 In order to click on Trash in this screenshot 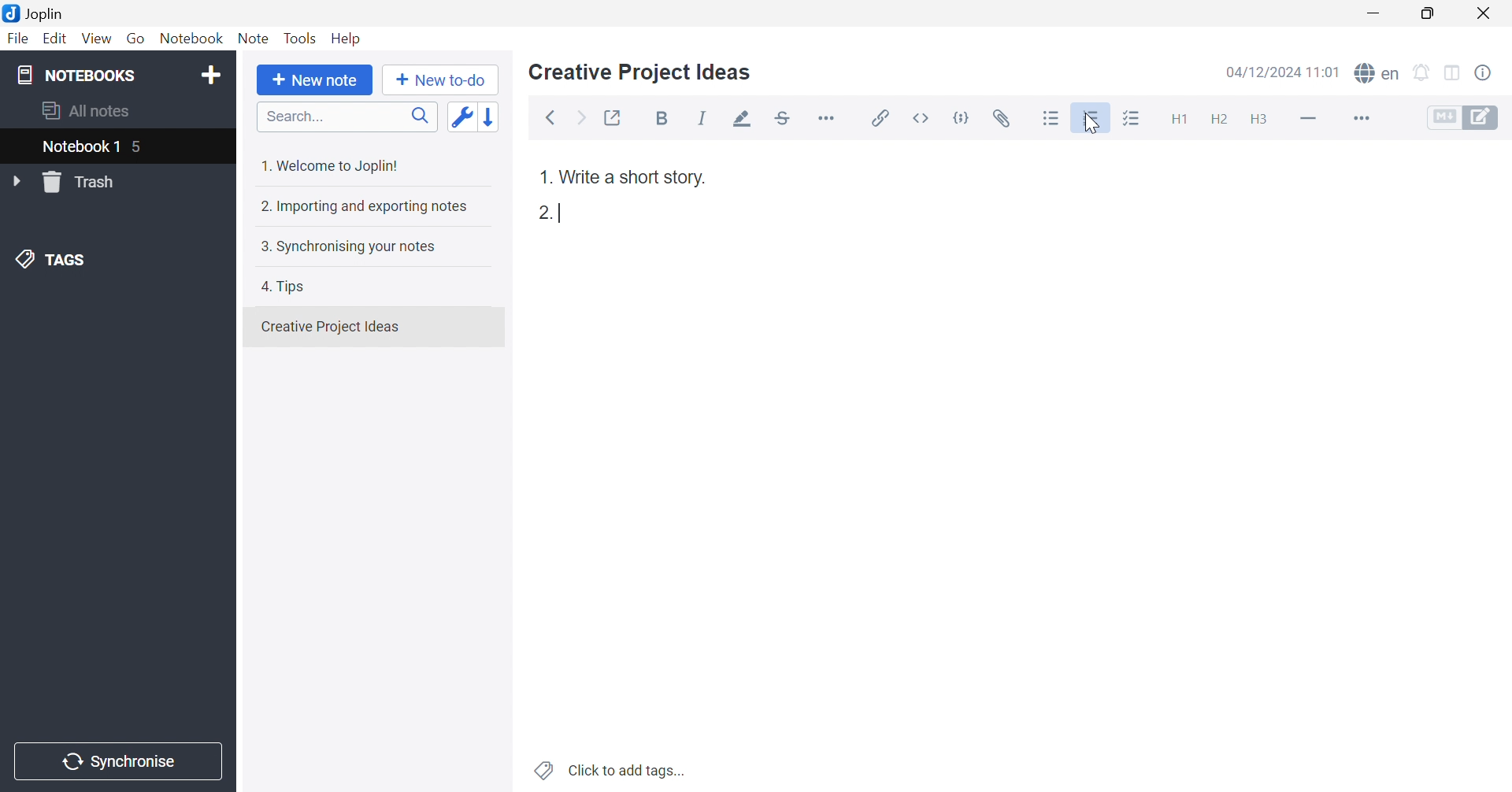, I will do `click(84, 183)`.